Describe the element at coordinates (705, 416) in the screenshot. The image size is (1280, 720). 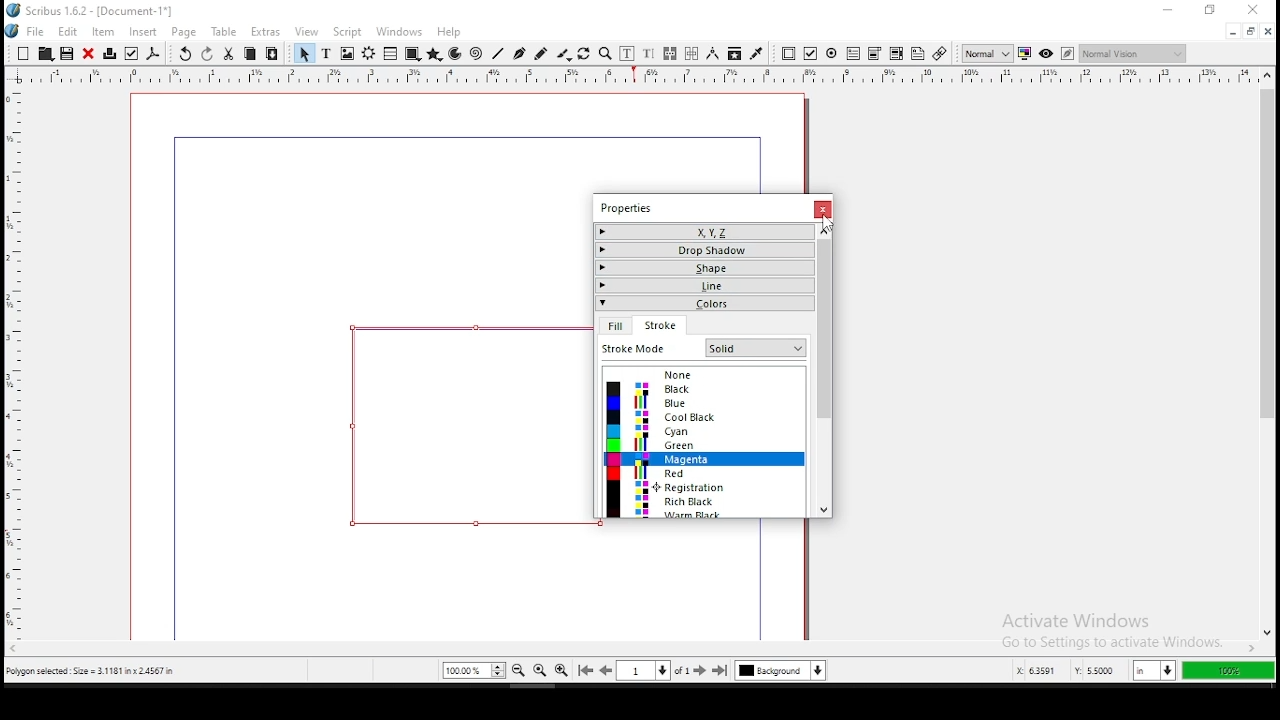
I see `cool black` at that location.